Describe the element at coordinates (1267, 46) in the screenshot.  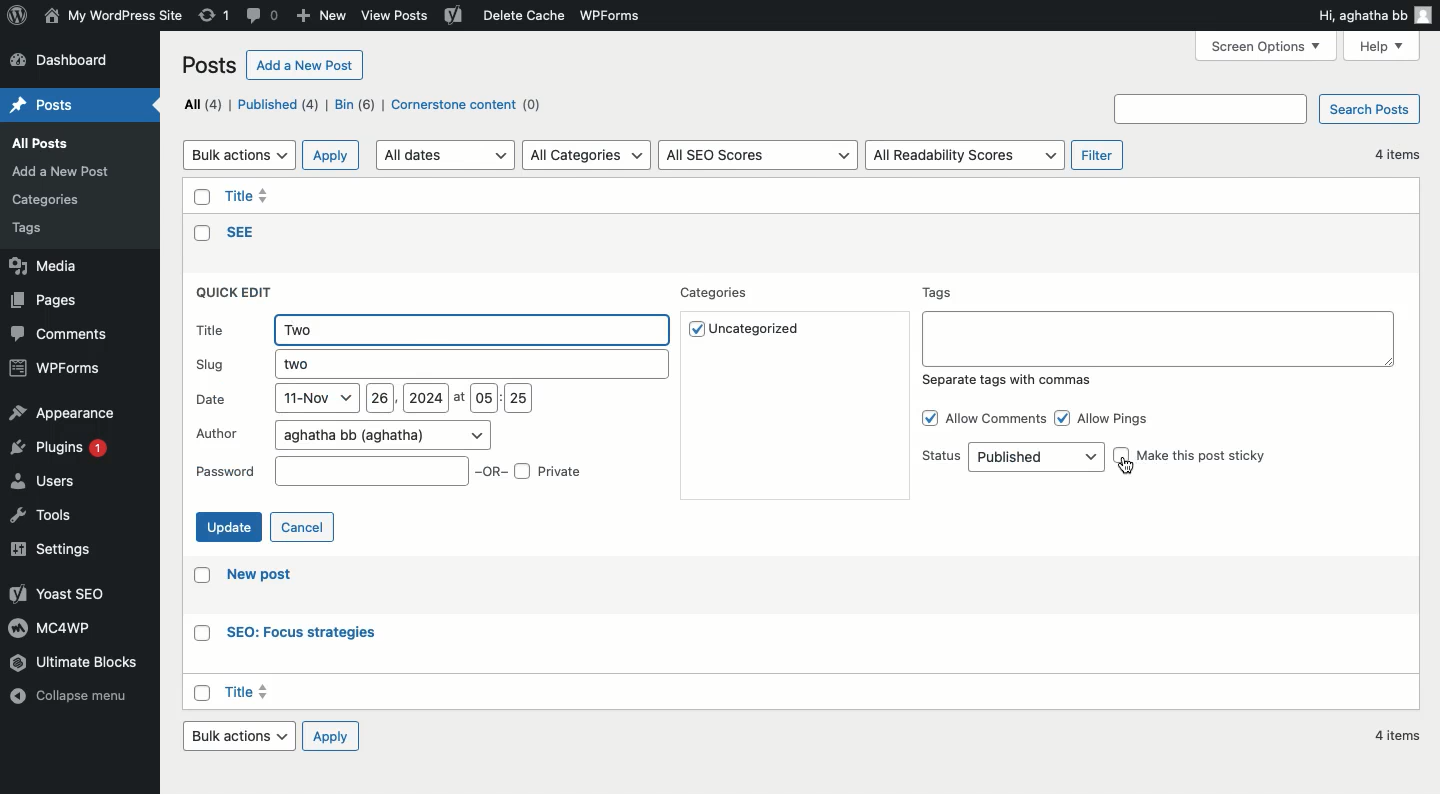
I see `Screen options` at that location.